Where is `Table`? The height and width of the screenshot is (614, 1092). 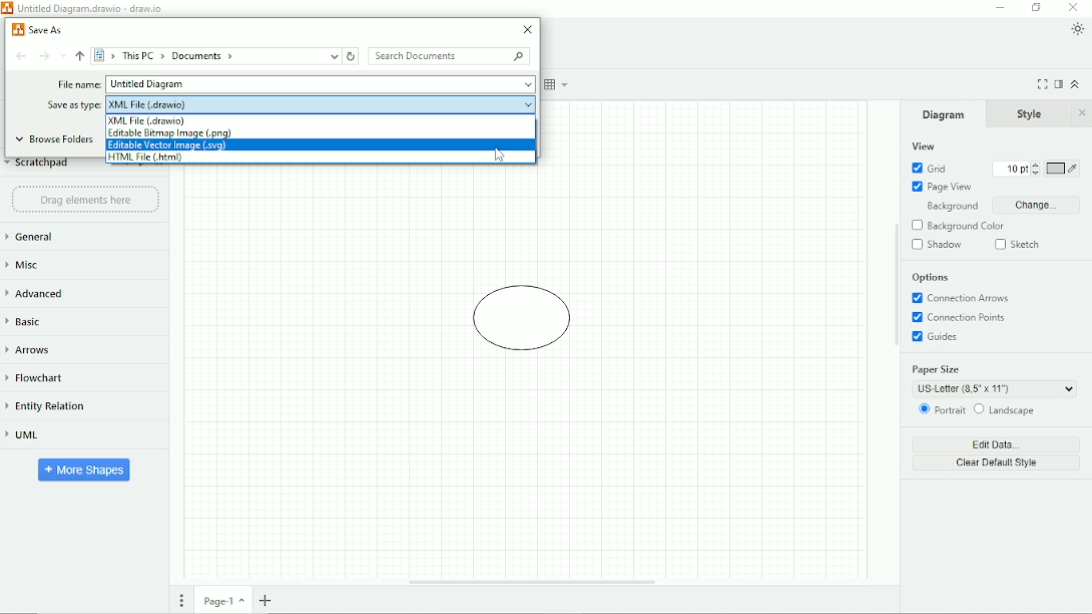 Table is located at coordinates (558, 85).